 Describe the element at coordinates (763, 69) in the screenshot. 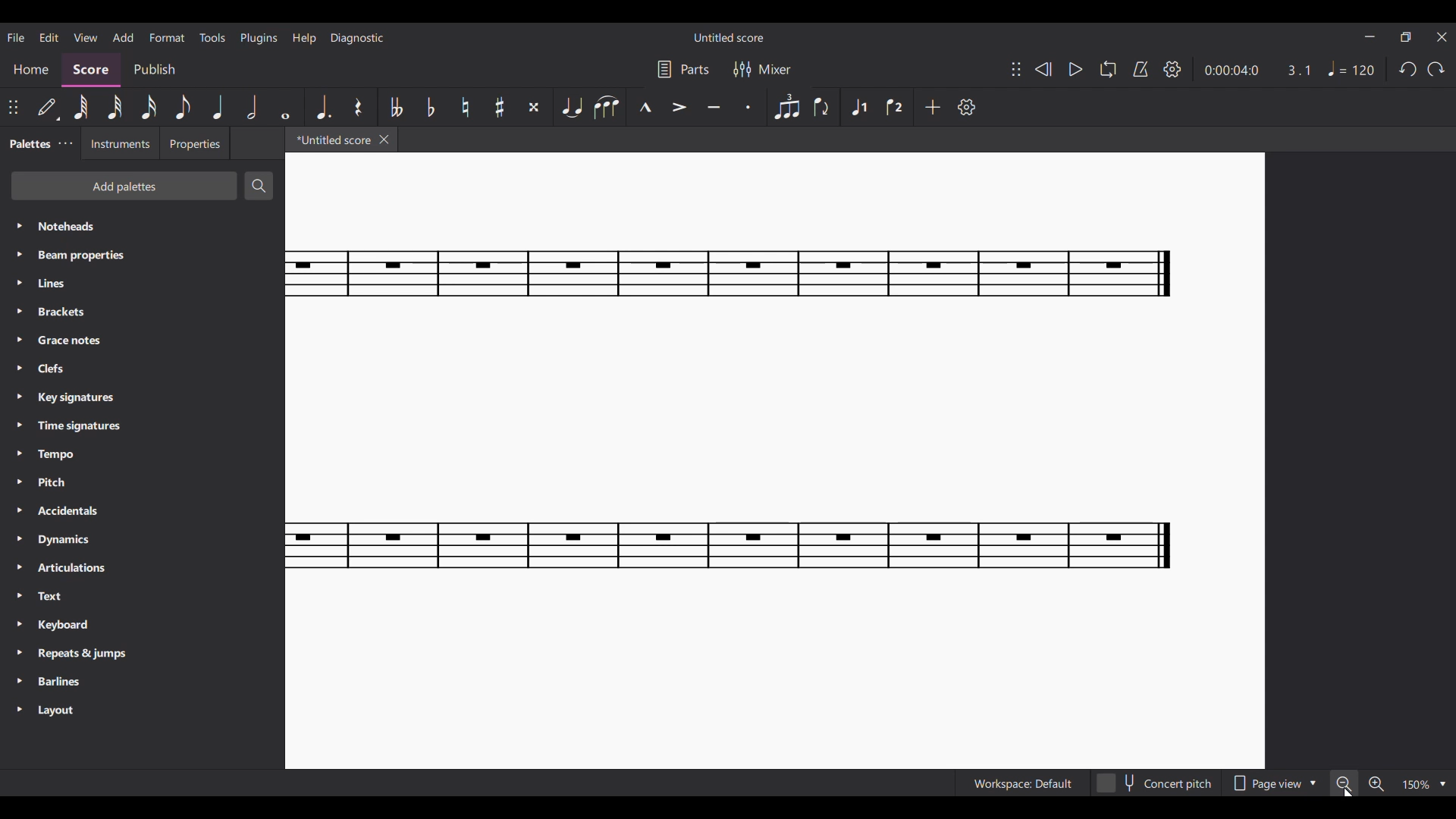

I see `Mixer settings` at that location.